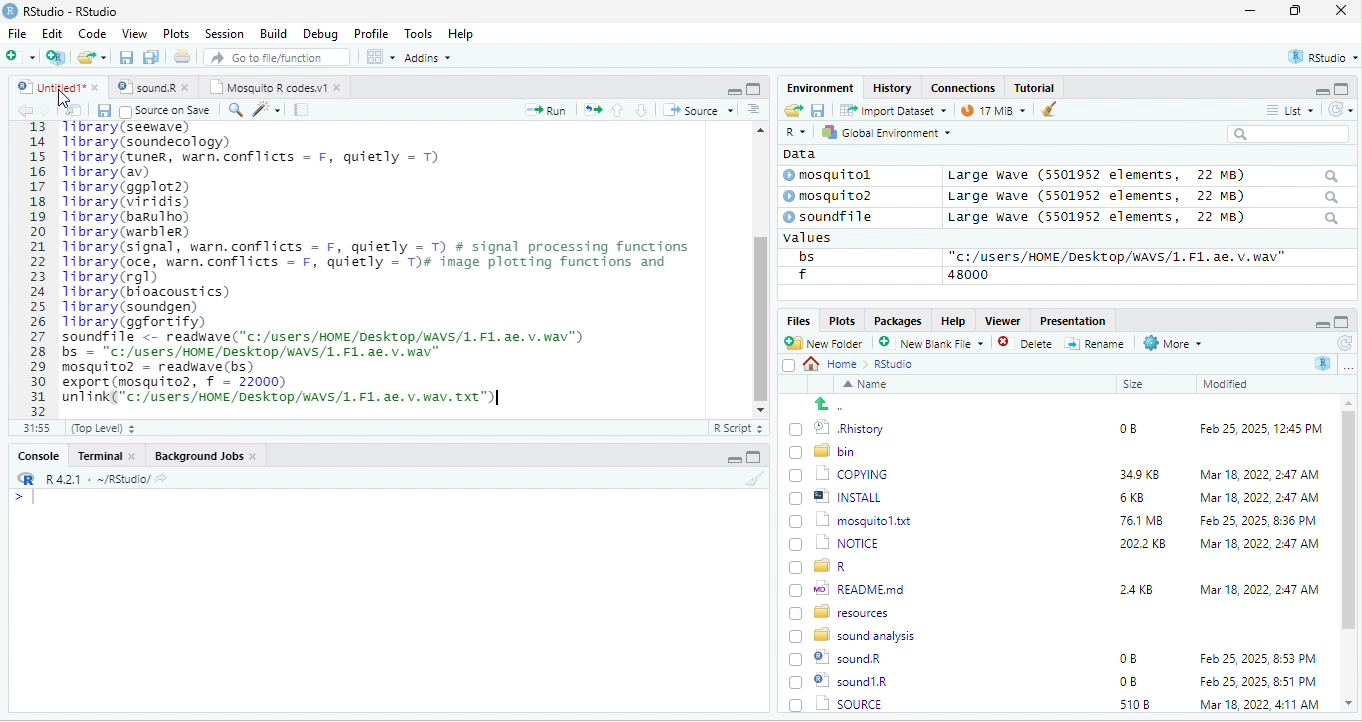 The image size is (1362, 722). Describe the element at coordinates (830, 567) in the screenshot. I see `[) = R` at that location.